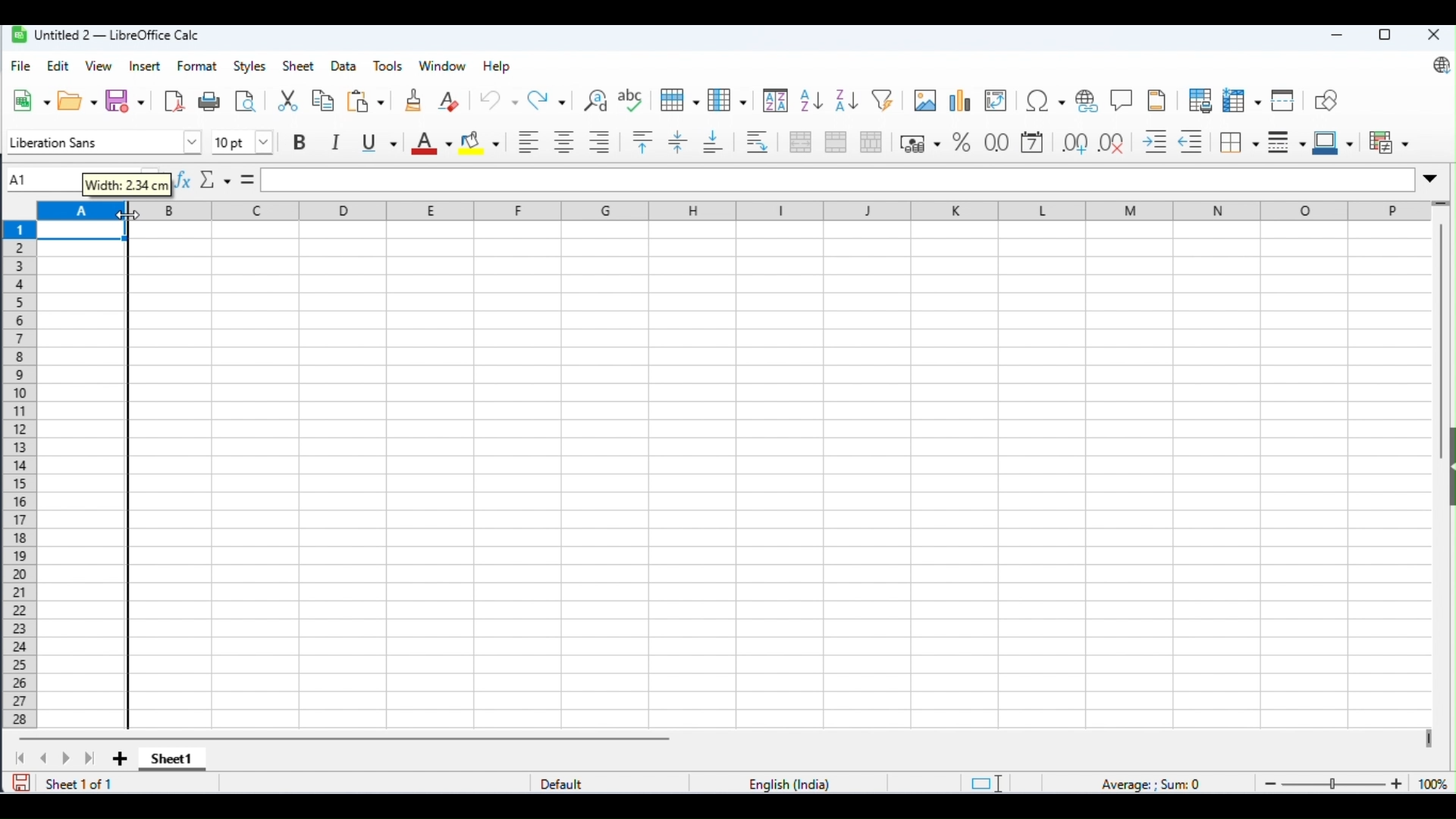 The width and height of the screenshot is (1456, 819). I want to click on sort ascending, so click(810, 101).